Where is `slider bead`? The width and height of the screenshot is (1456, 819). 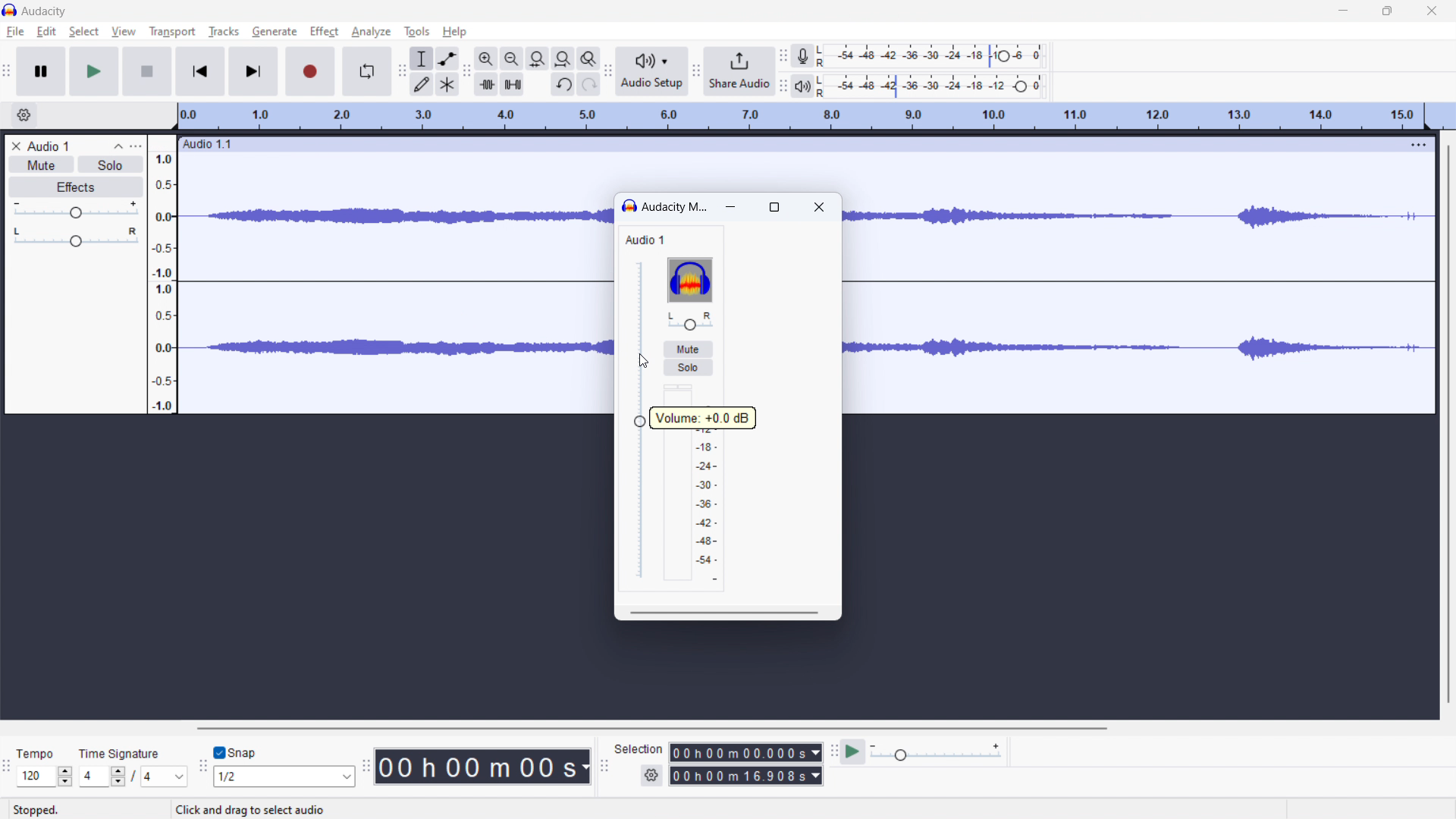 slider bead is located at coordinates (640, 422).